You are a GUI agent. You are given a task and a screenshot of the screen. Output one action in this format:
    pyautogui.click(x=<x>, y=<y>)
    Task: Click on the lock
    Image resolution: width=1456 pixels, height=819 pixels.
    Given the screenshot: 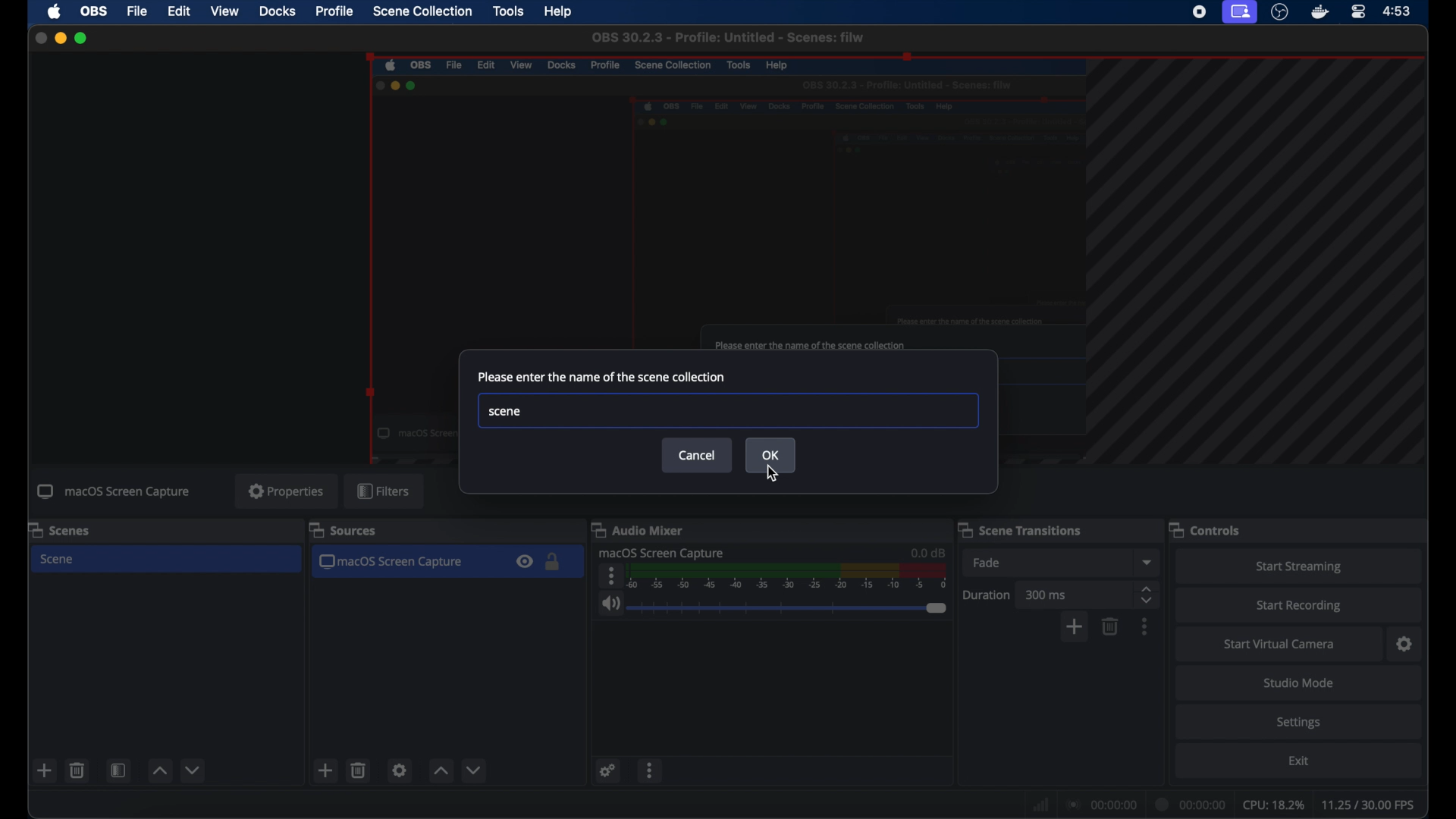 What is the action you would take?
    pyautogui.click(x=554, y=563)
    